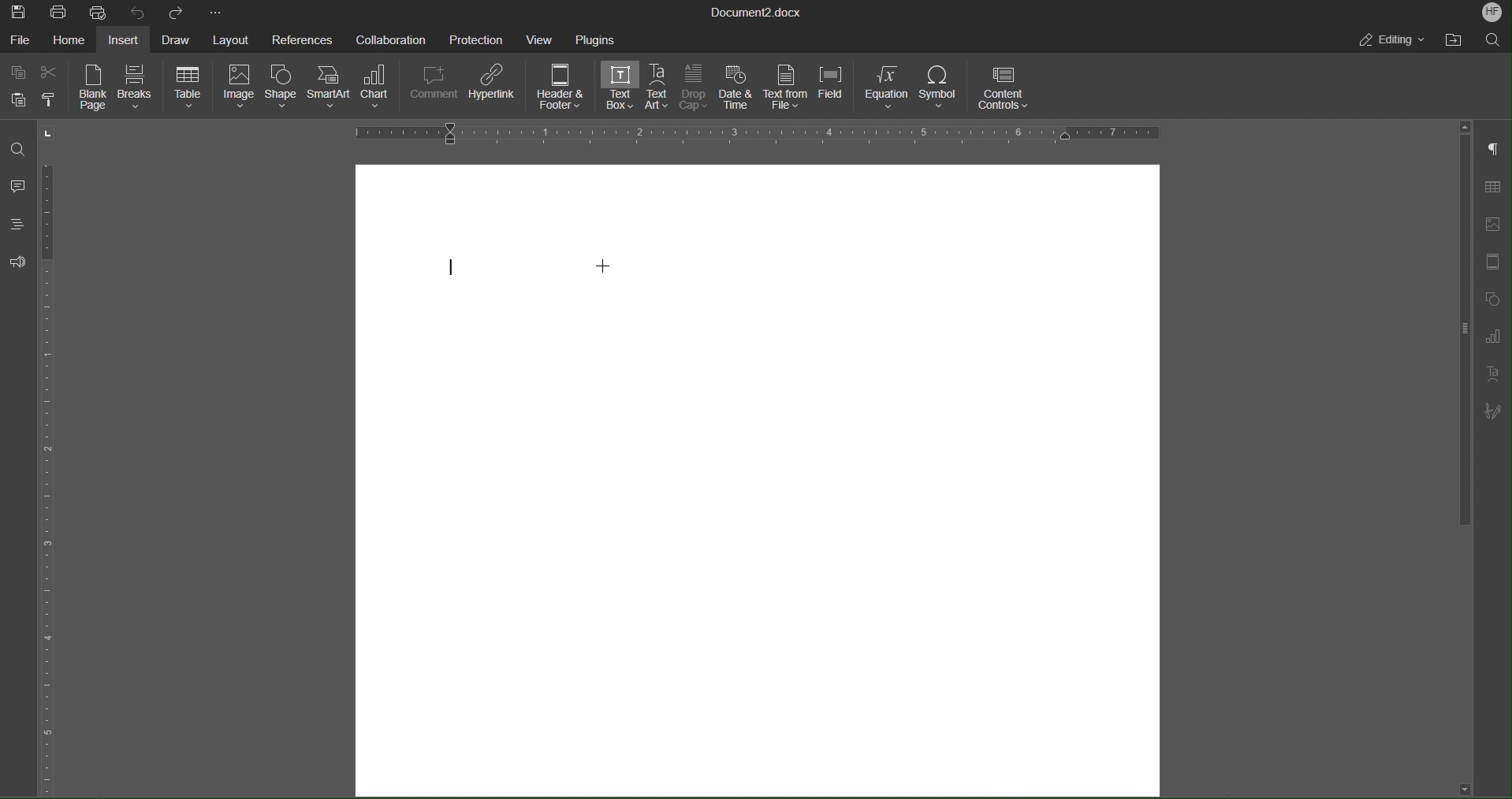  What do you see at coordinates (17, 262) in the screenshot?
I see `Feedback and Support` at bounding box center [17, 262].